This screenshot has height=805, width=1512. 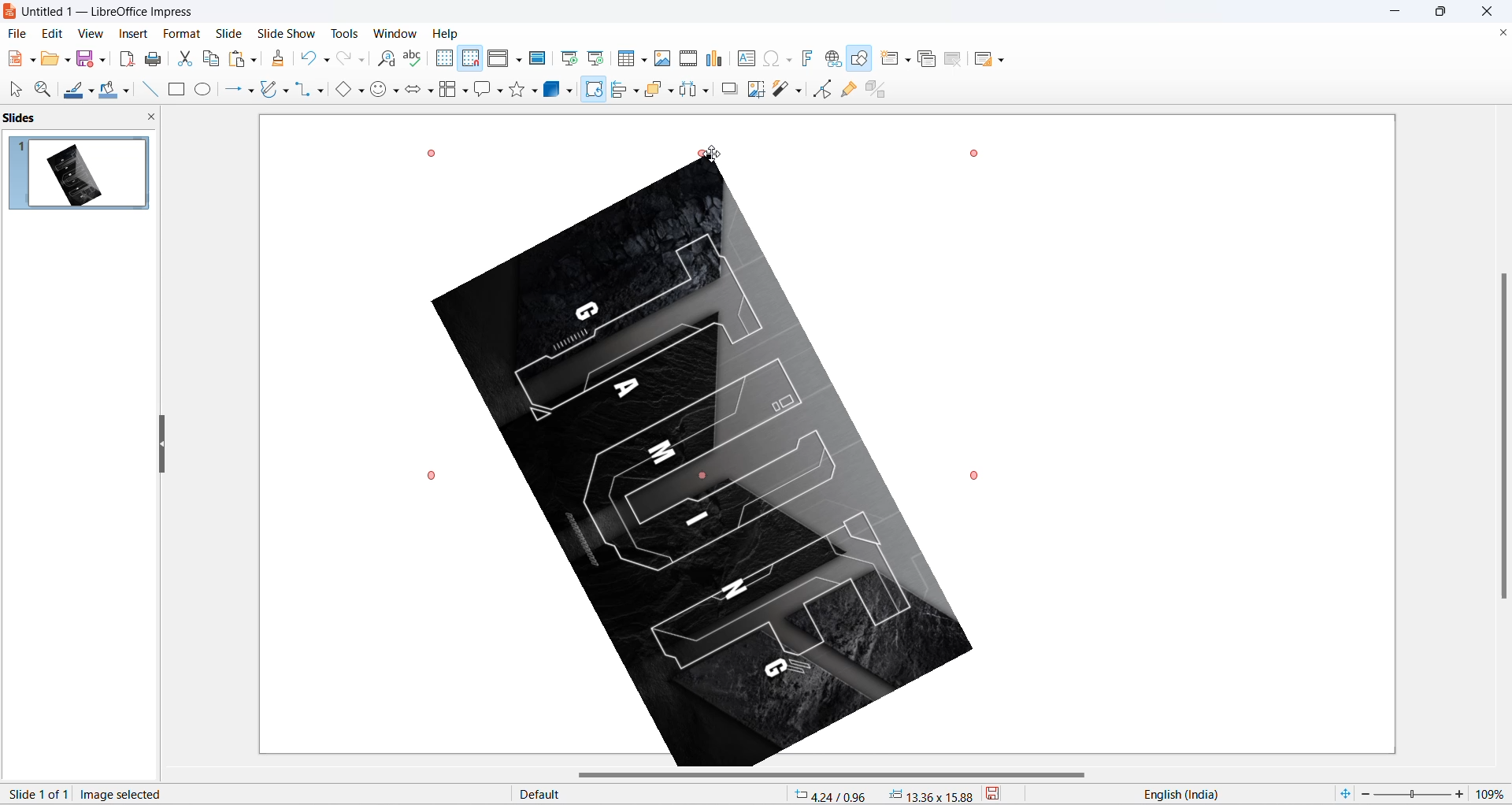 I want to click on zoom percentage, so click(x=1493, y=792).